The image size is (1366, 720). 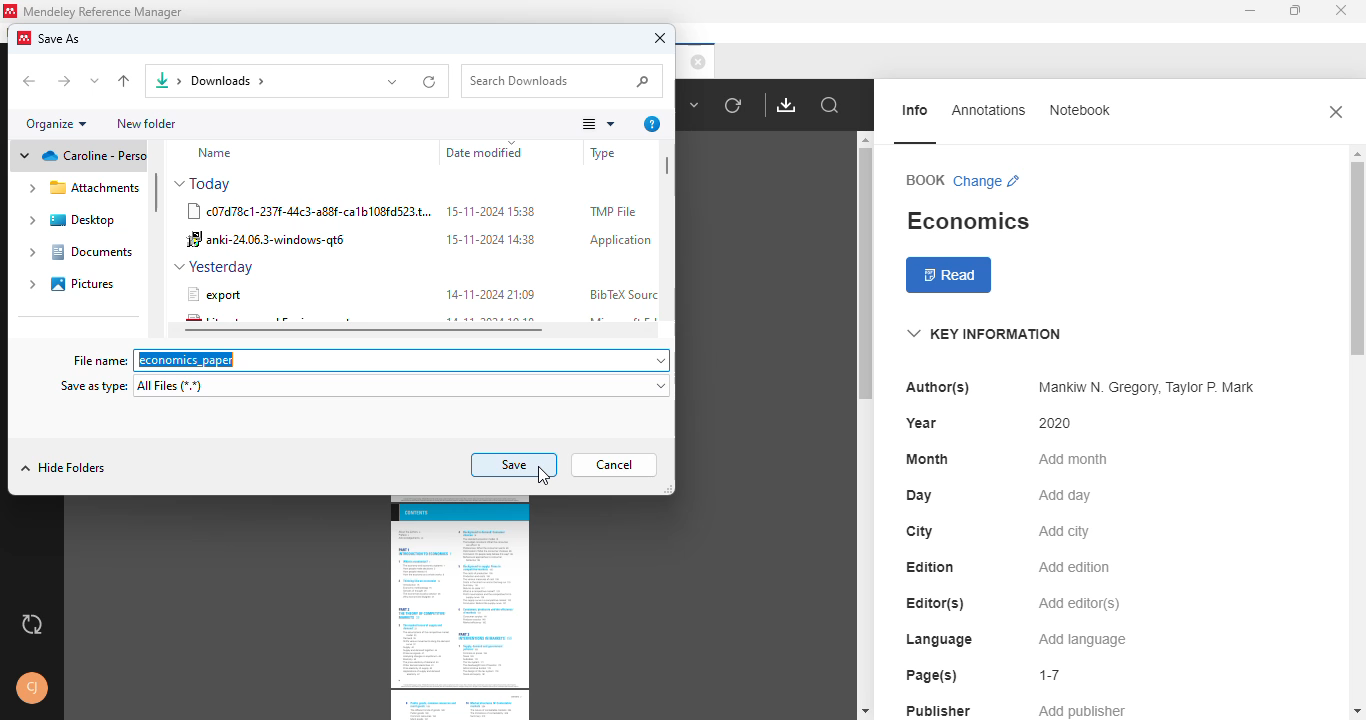 What do you see at coordinates (492, 210) in the screenshot?
I see `15-11-2024` at bounding box center [492, 210].